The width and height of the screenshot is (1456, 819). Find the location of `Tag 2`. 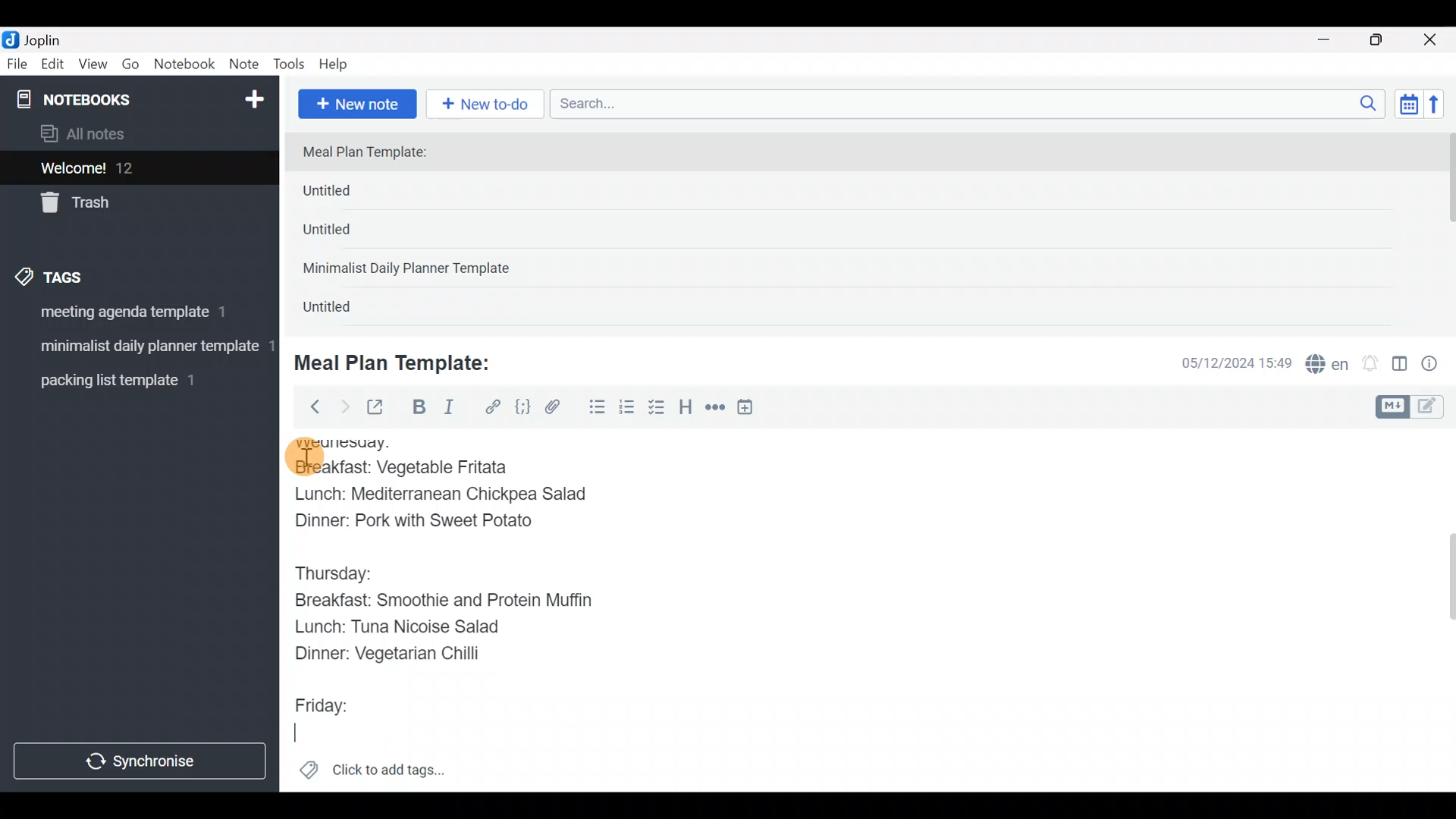

Tag 2 is located at coordinates (139, 348).